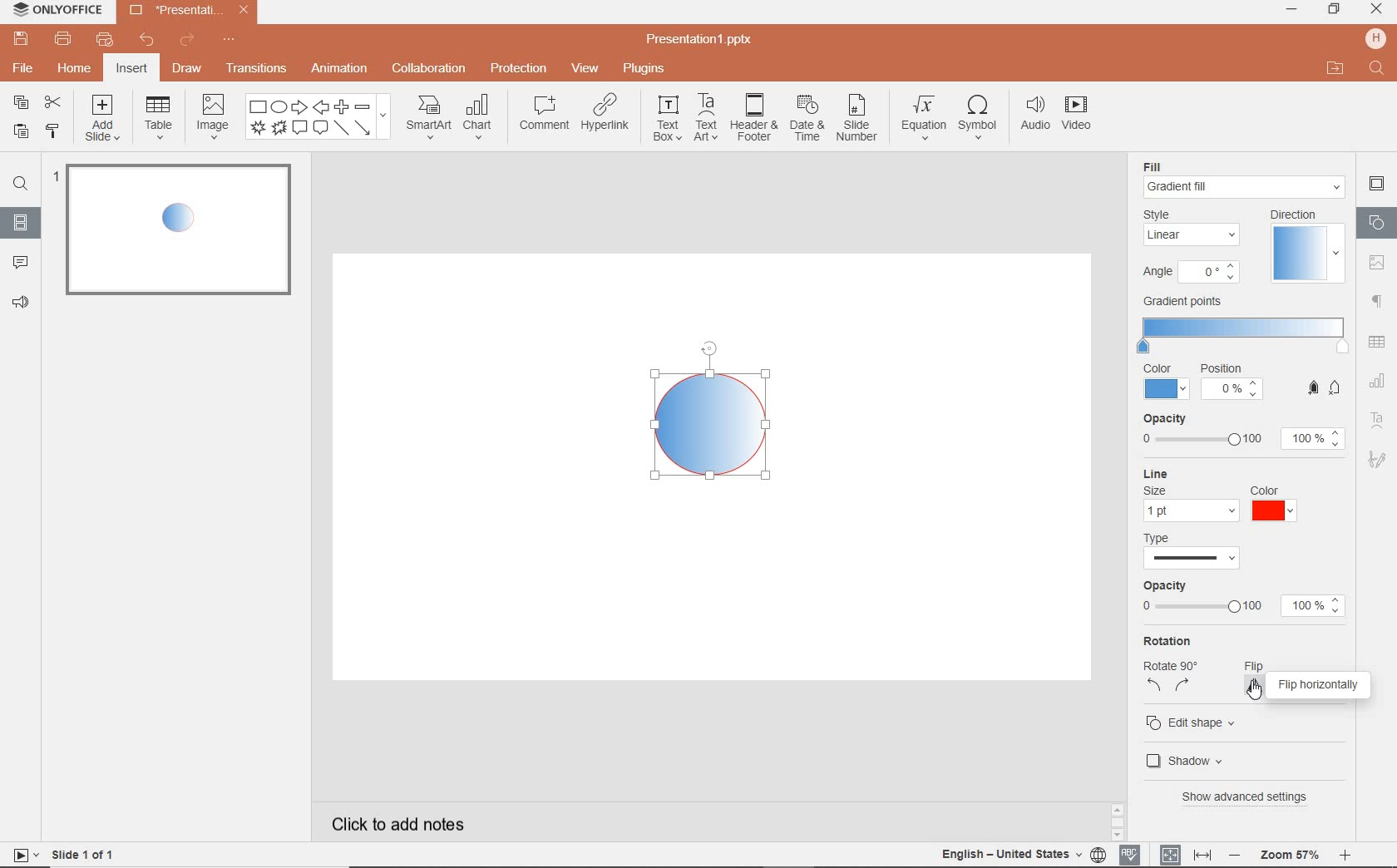 This screenshot has width=1397, height=868. Describe the element at coordinates (339, 70) in the screenshot. I see `animation` at that location.